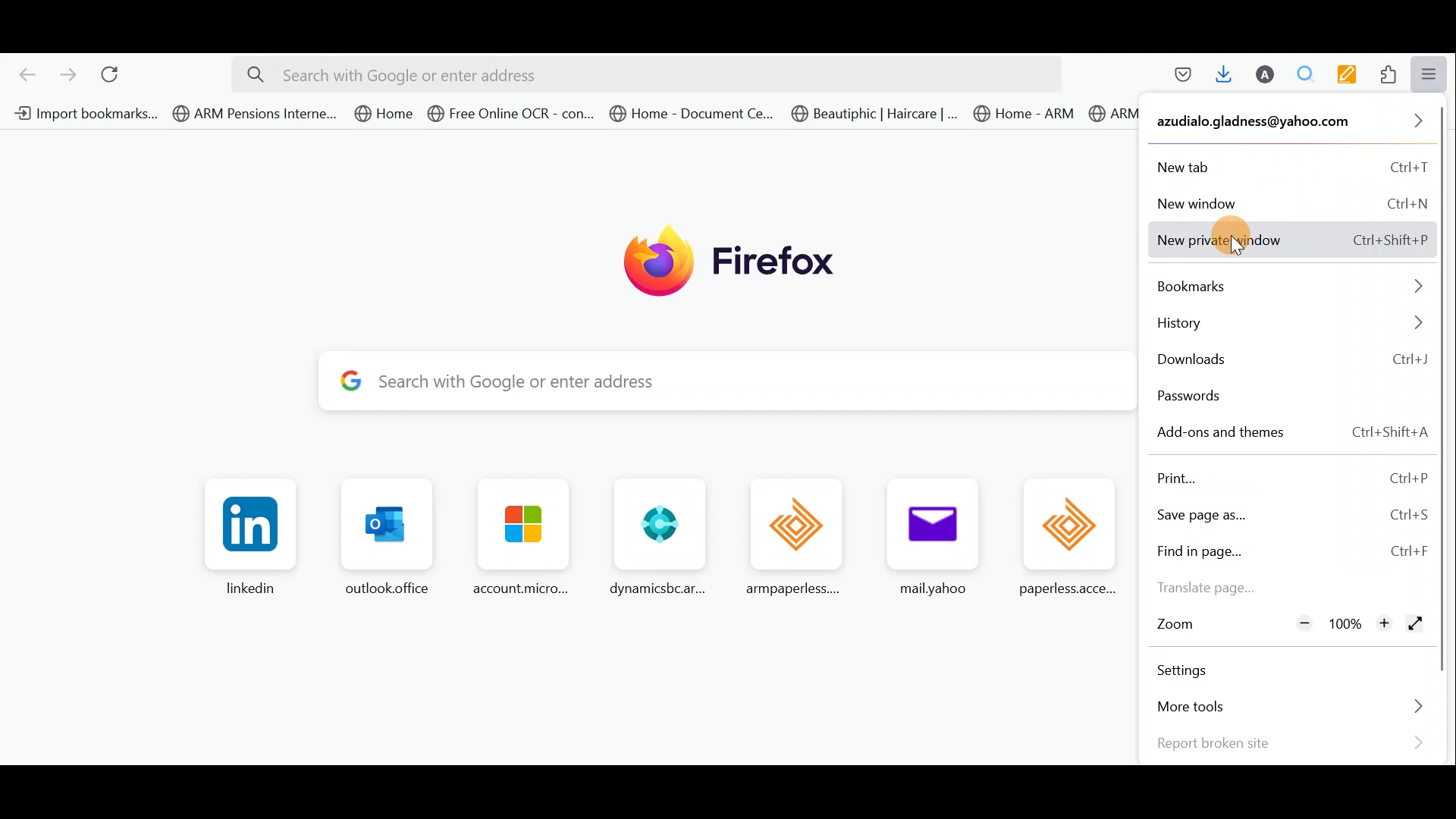 The height and width of the screenshot is (819, 1456). Describe the element at coordinates (1307, 74) in the screenshot. I see `Multiple search & highlight` at that location.